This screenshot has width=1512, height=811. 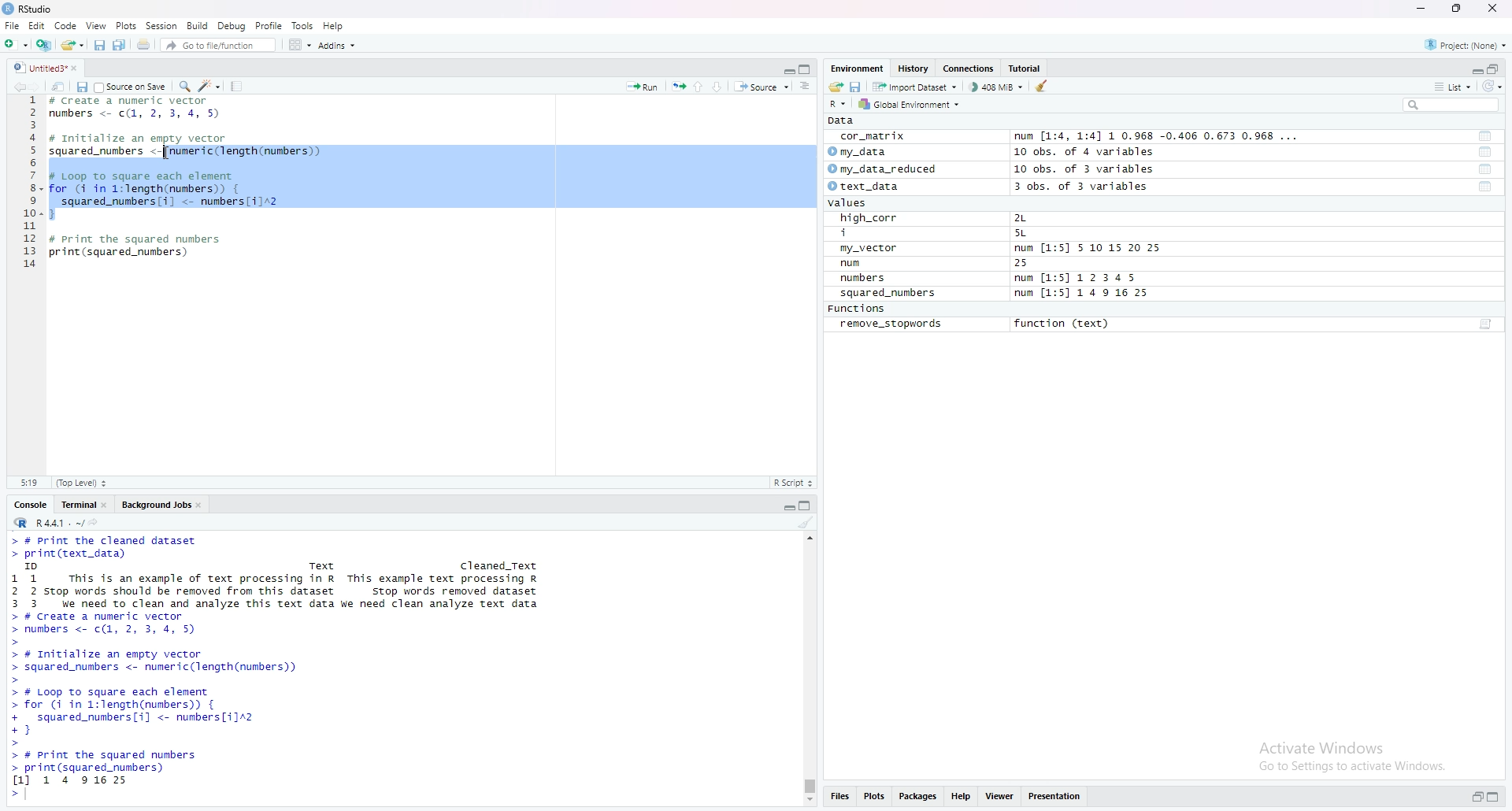 I want to click on num [1:5] 1 2 345, so click(x=1080, y=279).